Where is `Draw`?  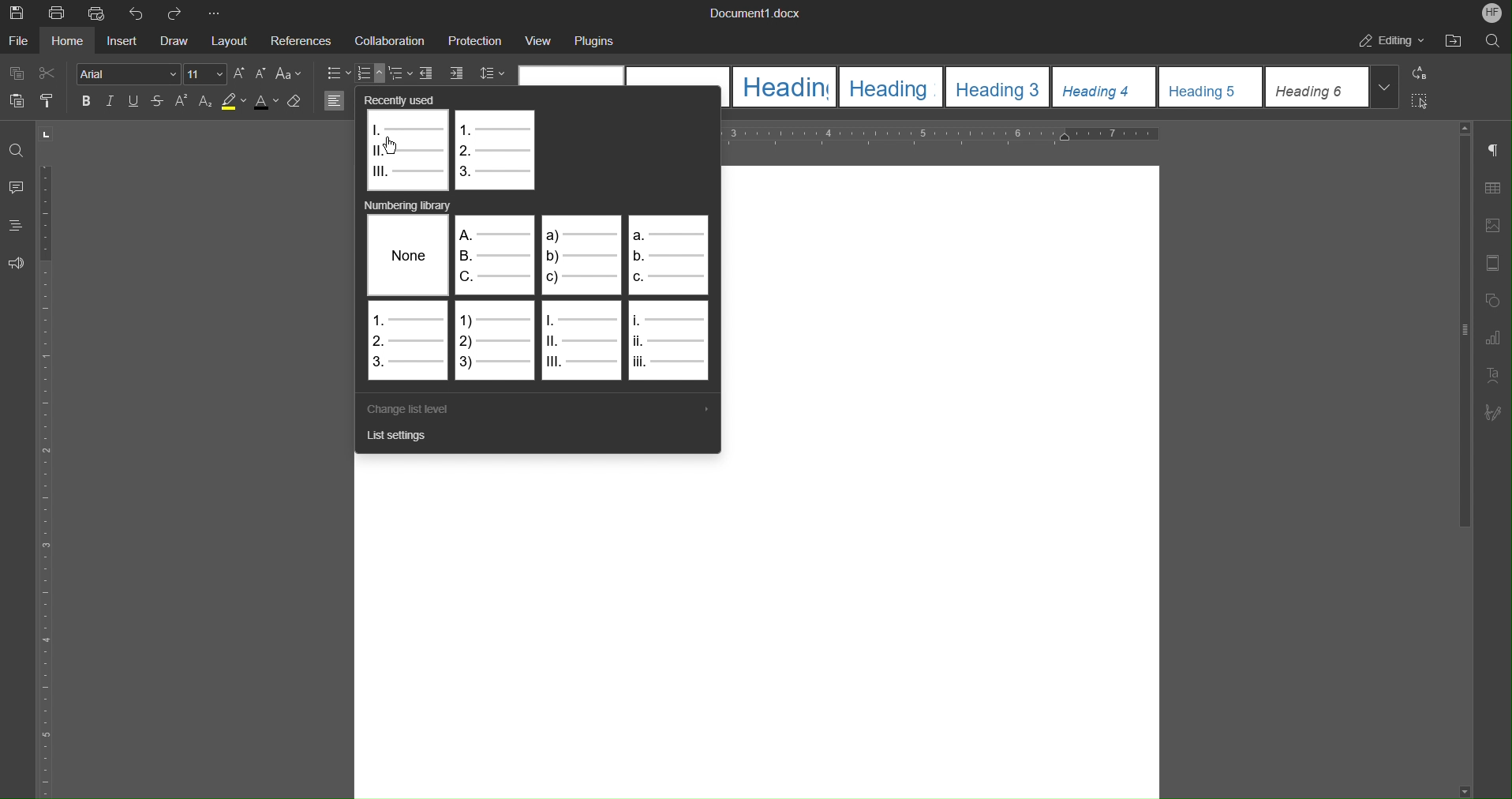 Draw is located at coordinates (174, 41).